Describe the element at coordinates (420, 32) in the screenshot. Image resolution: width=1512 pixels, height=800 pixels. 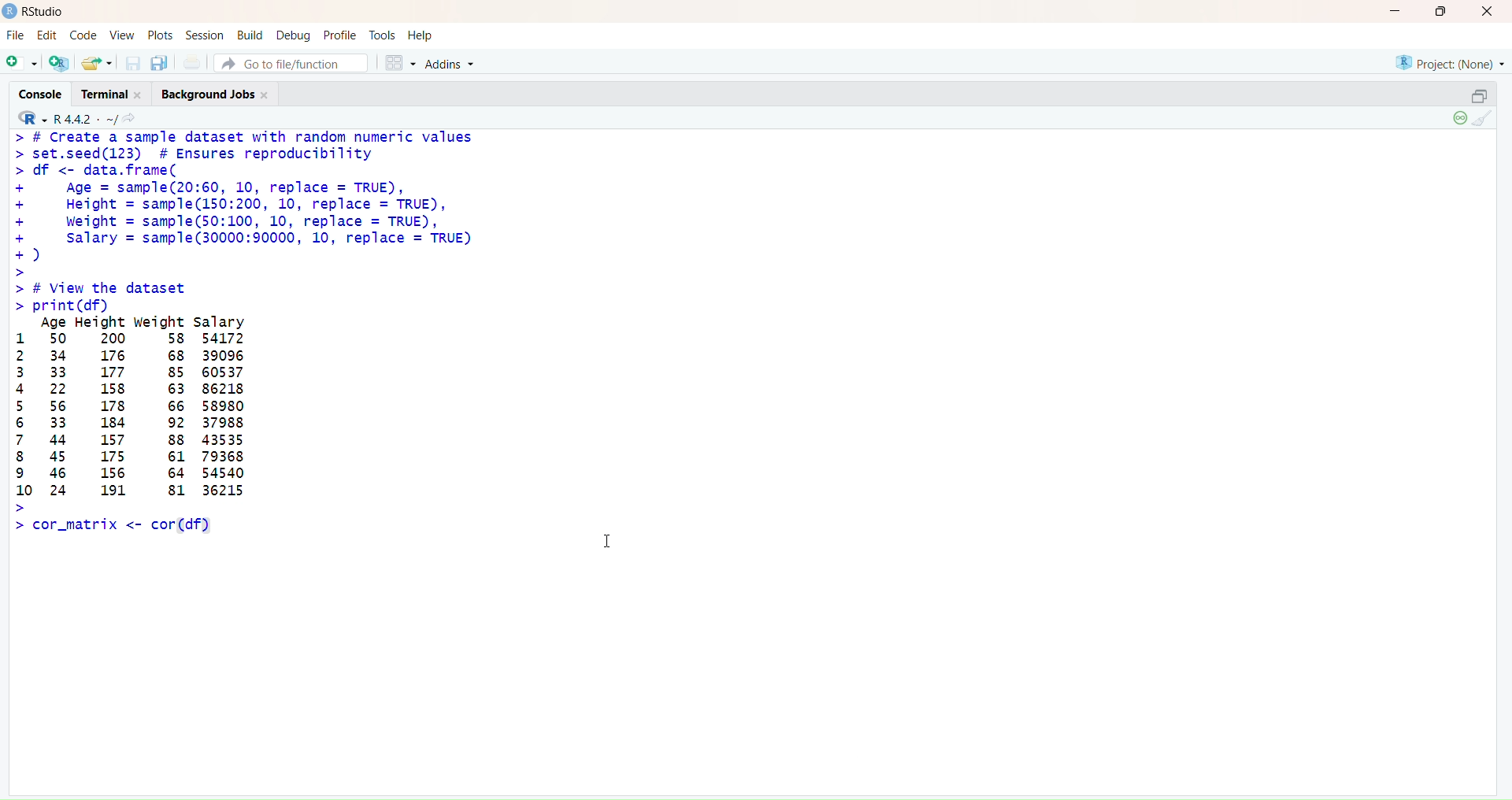
I see `Help` at that location.